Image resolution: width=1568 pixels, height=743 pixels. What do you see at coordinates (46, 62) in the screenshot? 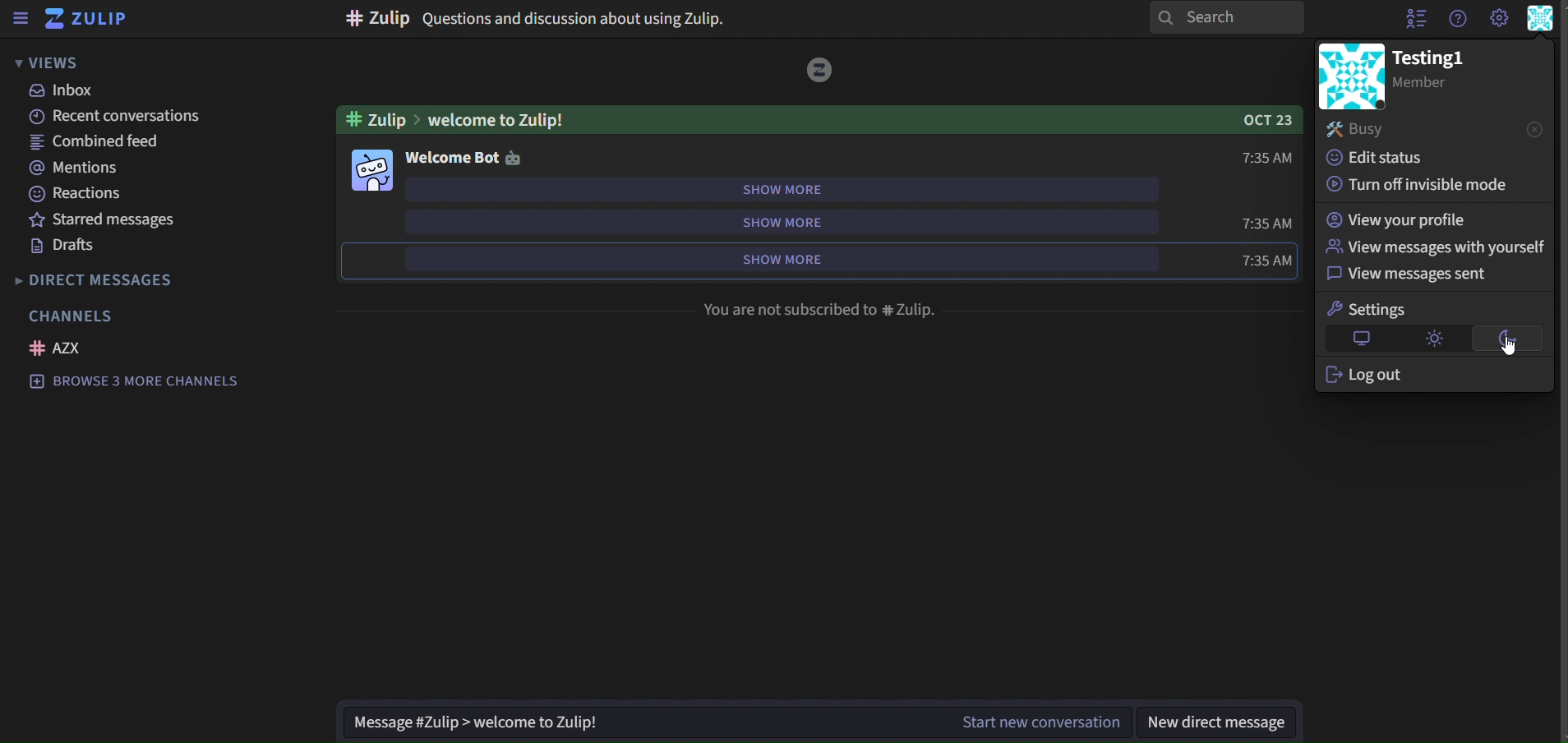
I see `views` at bounding box center [46, 62].